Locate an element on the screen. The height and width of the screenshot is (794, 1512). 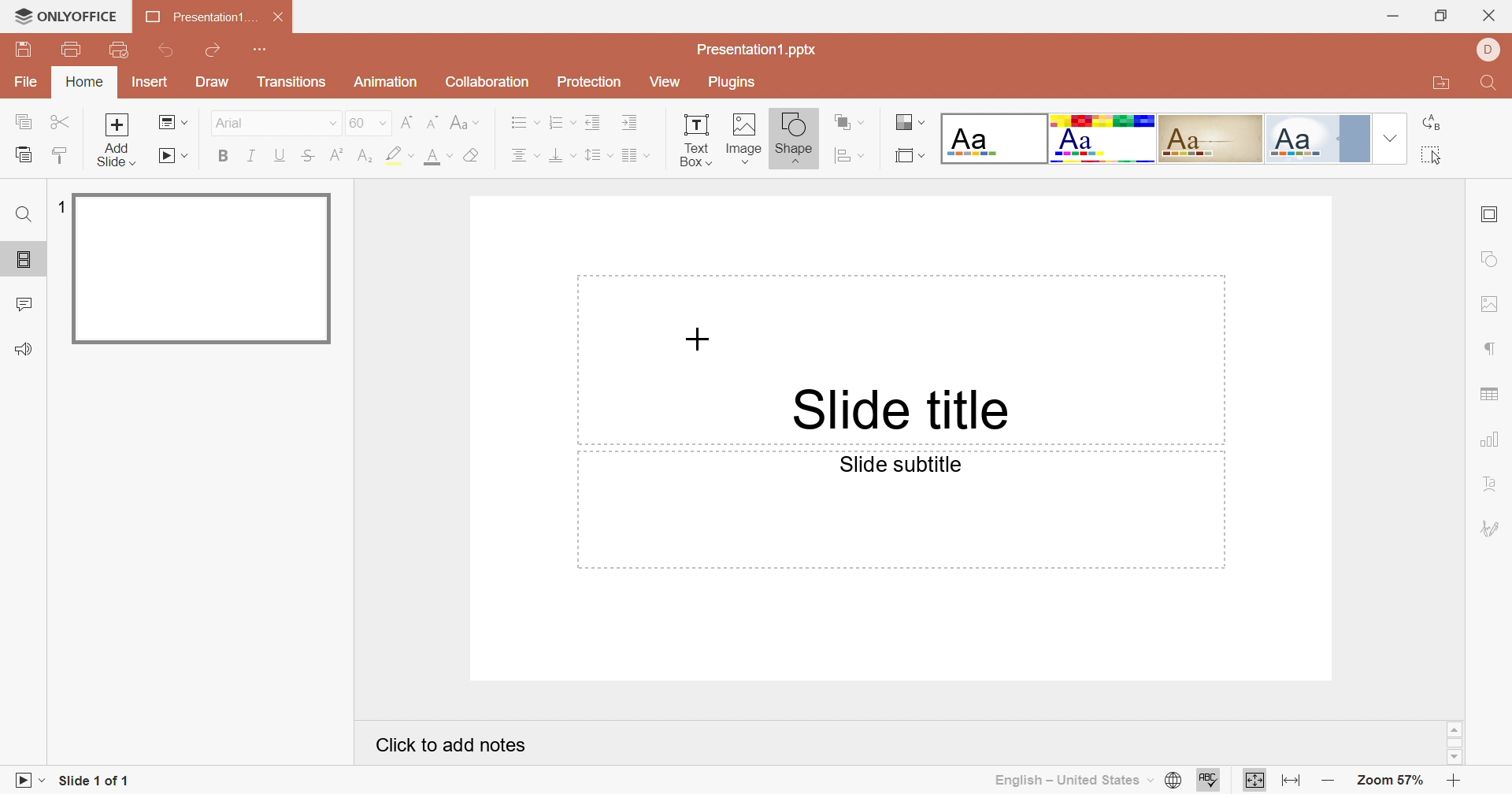
Feedback and support is located at coordinates (23, 349).